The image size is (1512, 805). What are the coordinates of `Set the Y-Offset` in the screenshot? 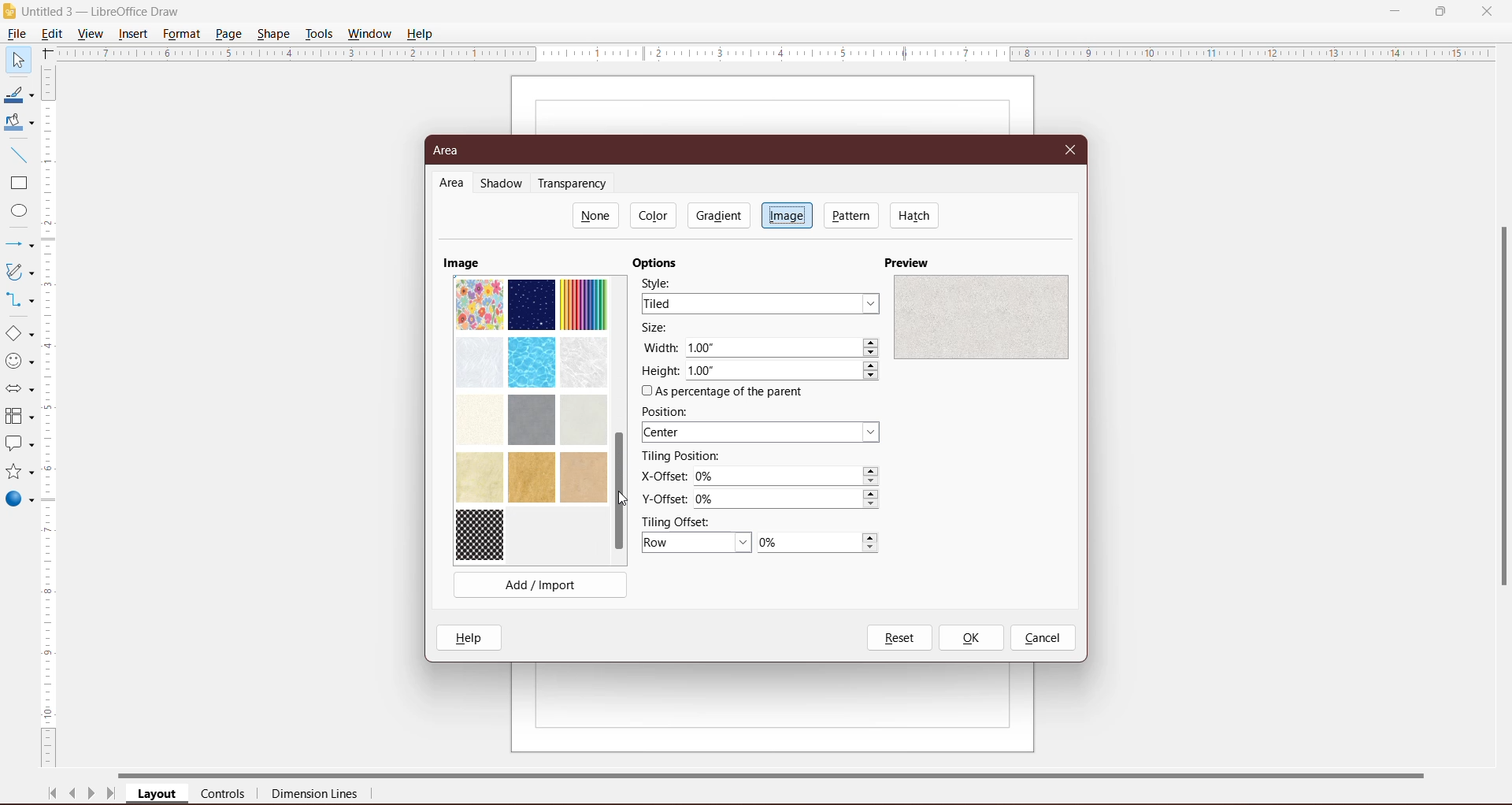 It's located at (791, 499).